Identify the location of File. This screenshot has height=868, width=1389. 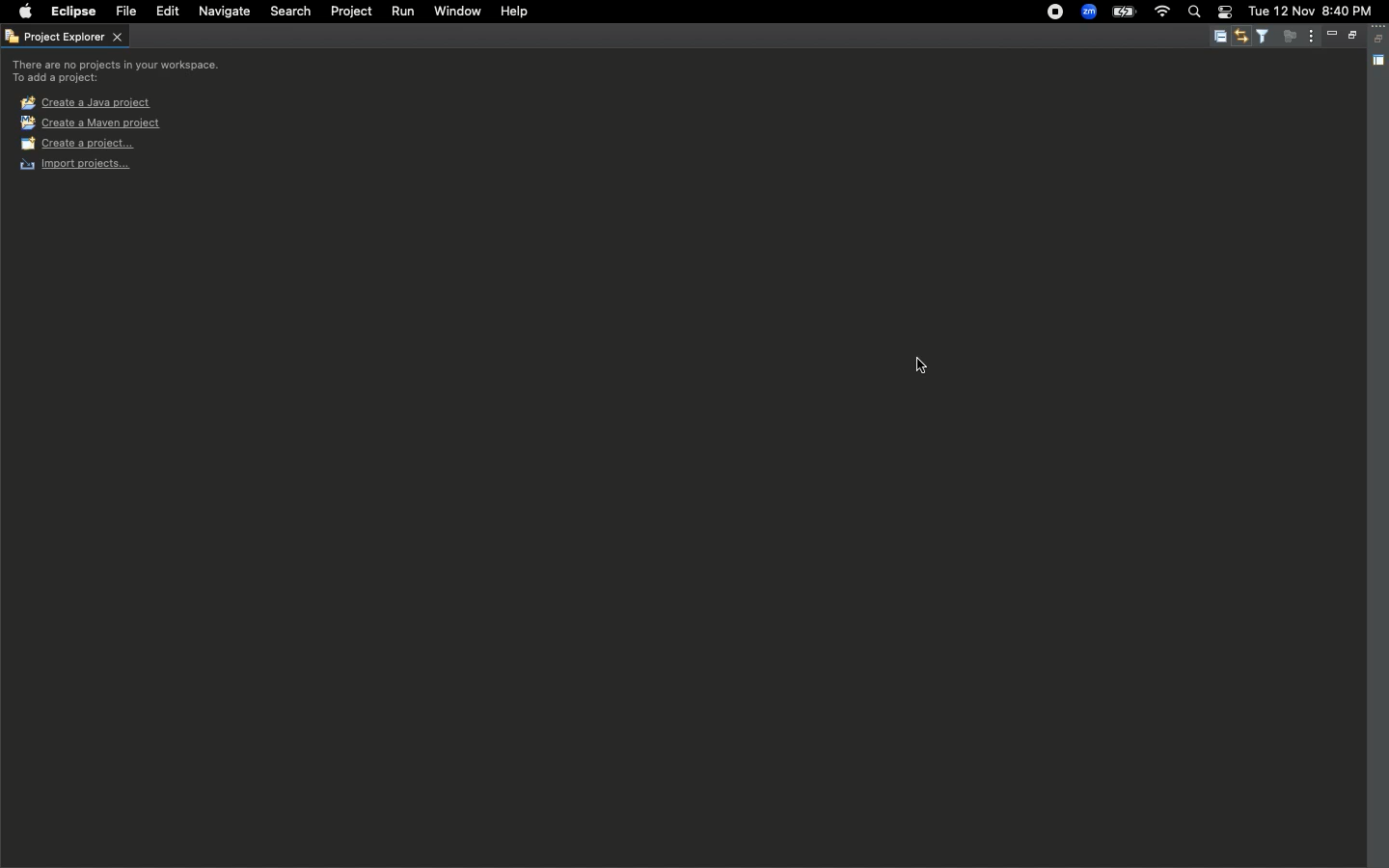
(126, 12).